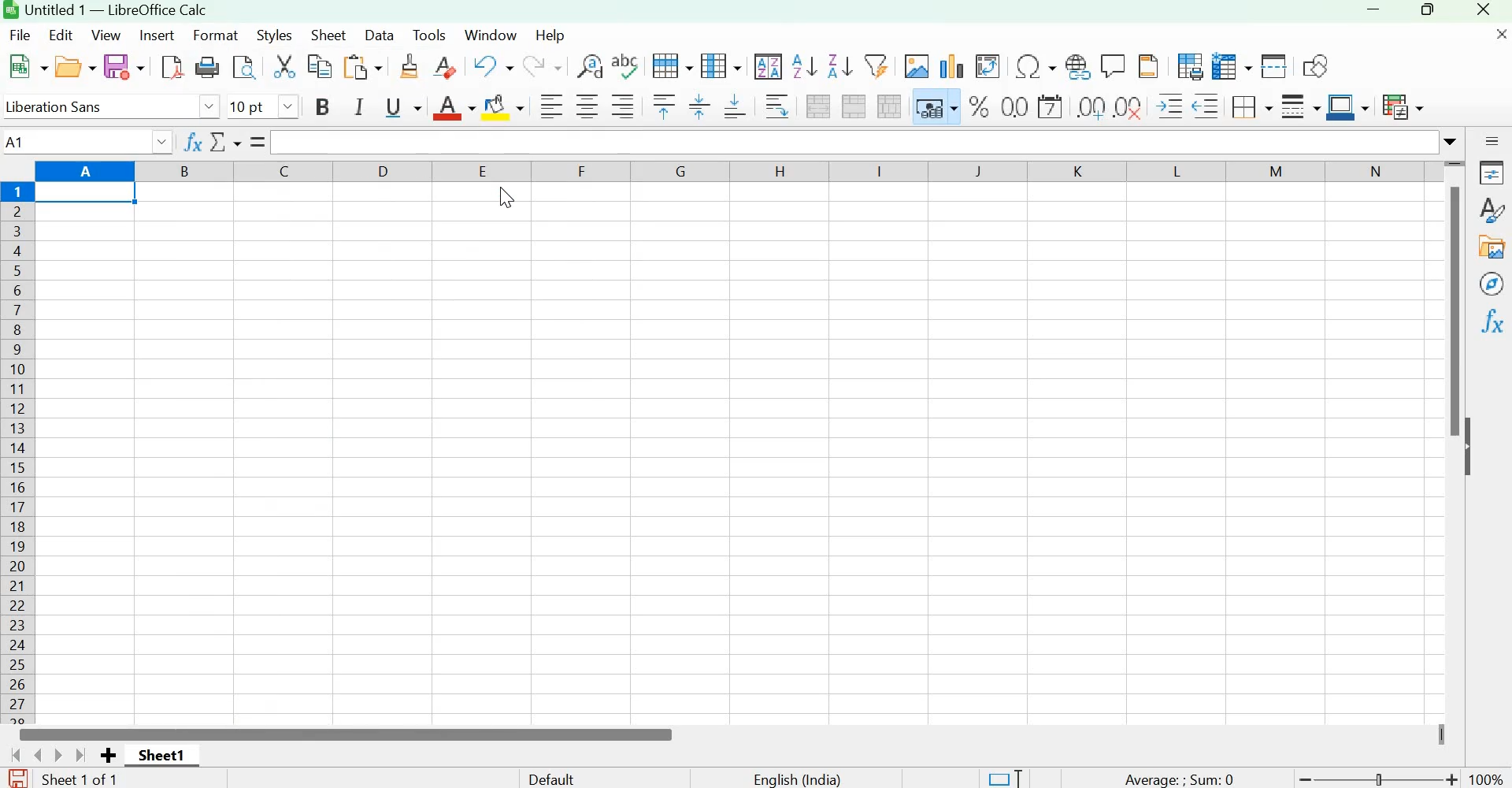 The image size is (1512, 788). What do you see at coordinates (365, 67) in the screenshot?
I see `Paste` at bounding box center [365, 67].